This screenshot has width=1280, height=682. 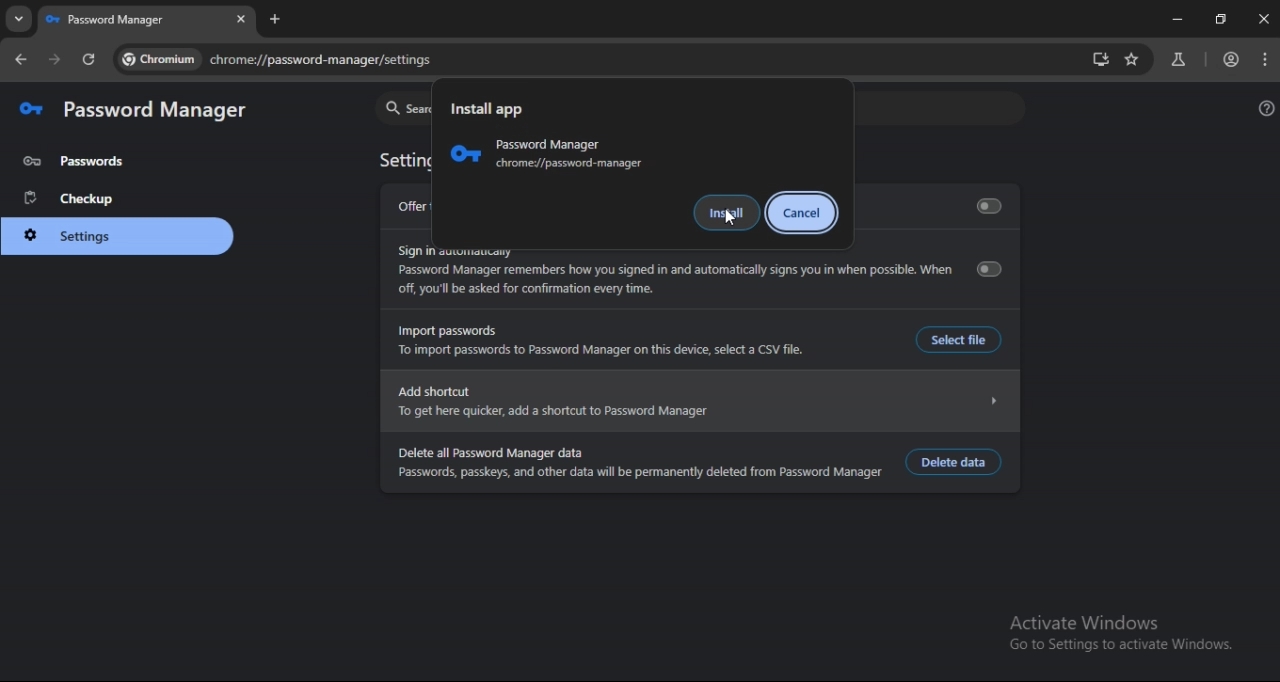 I want to click on password, so click(x=75, y=161).